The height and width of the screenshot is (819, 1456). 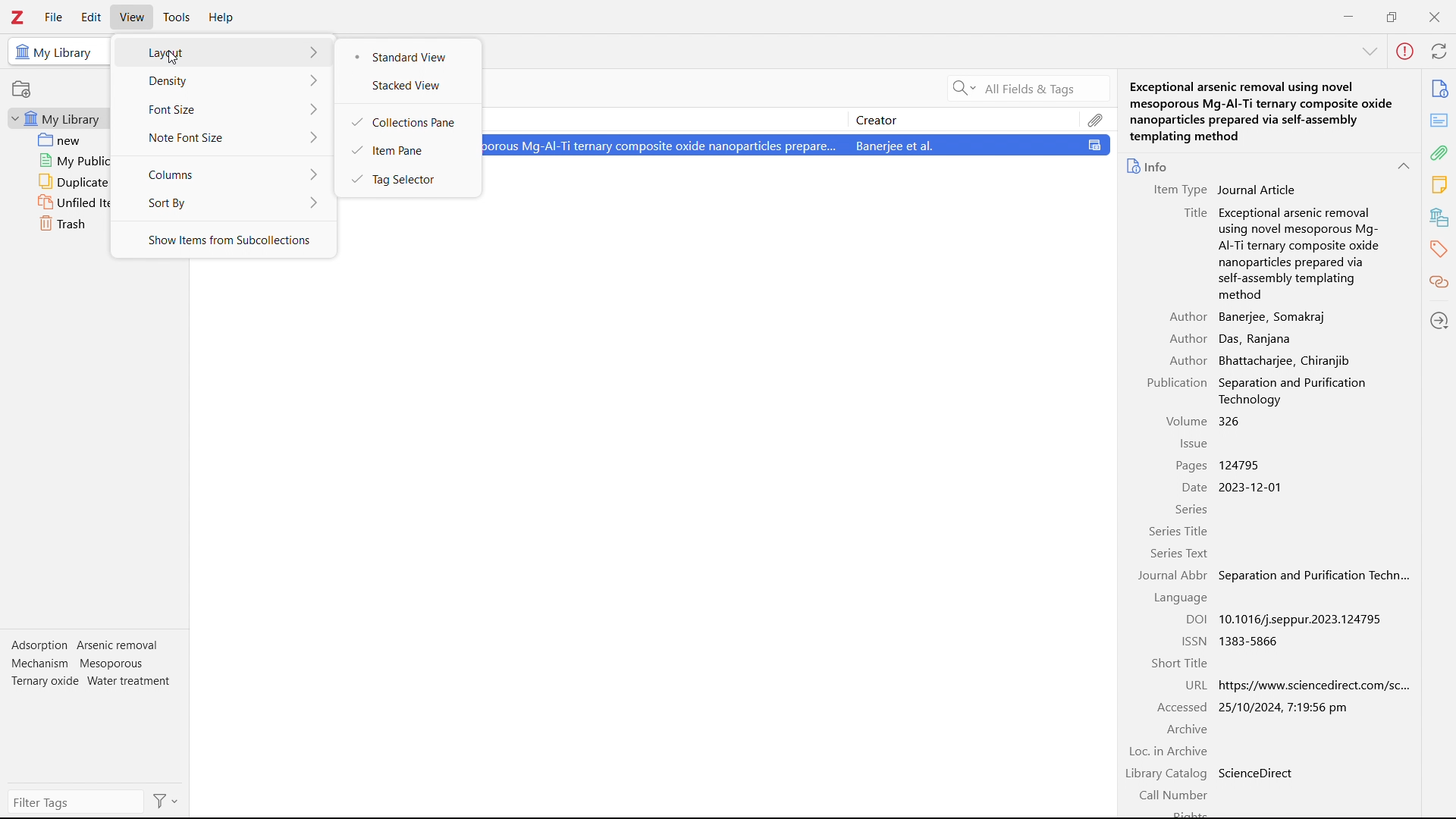 I want to click on columns, so click(x=222, y=173).